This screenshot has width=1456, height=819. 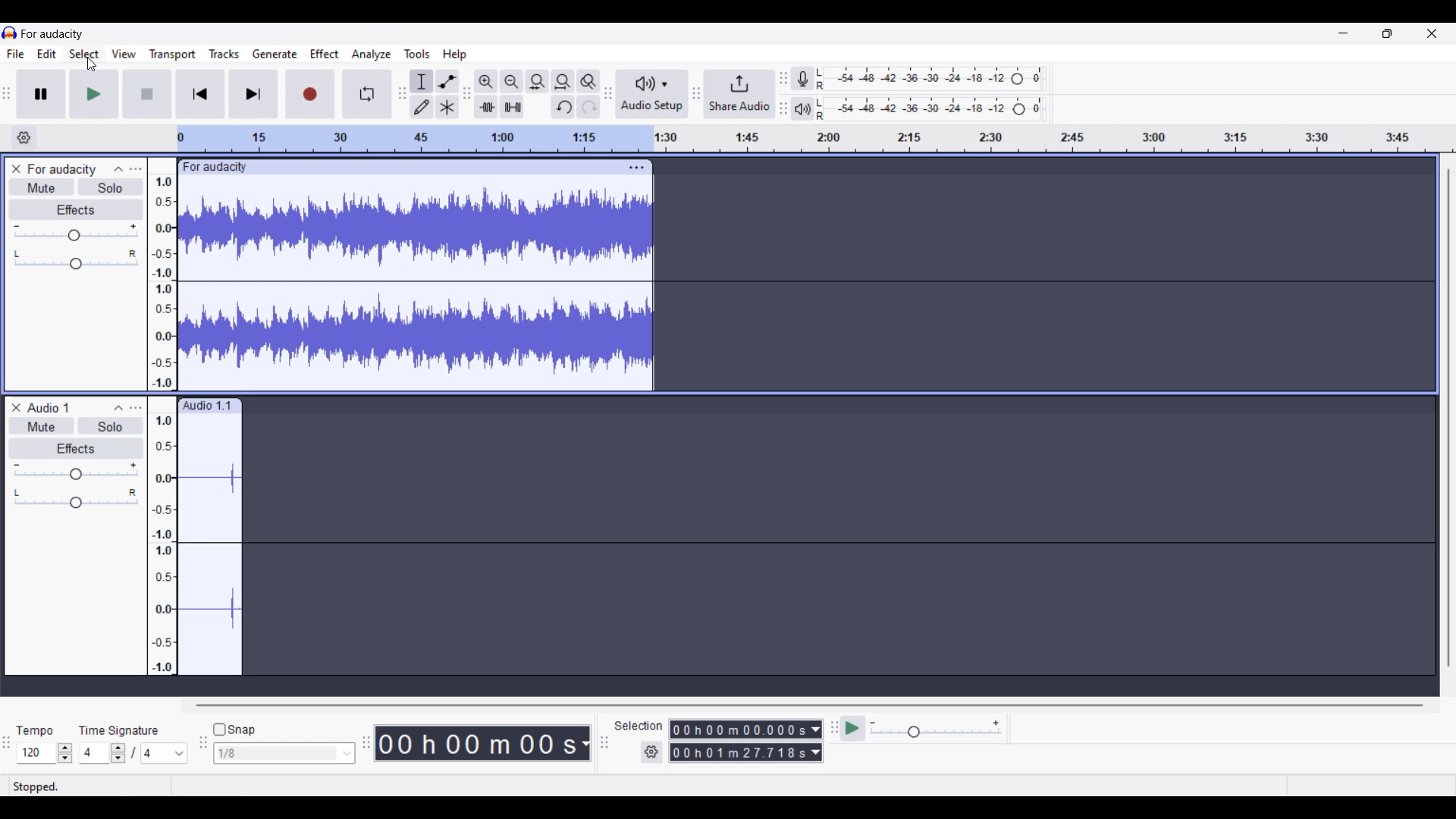 I want to click on track waveform, so click(x=209, y=548).